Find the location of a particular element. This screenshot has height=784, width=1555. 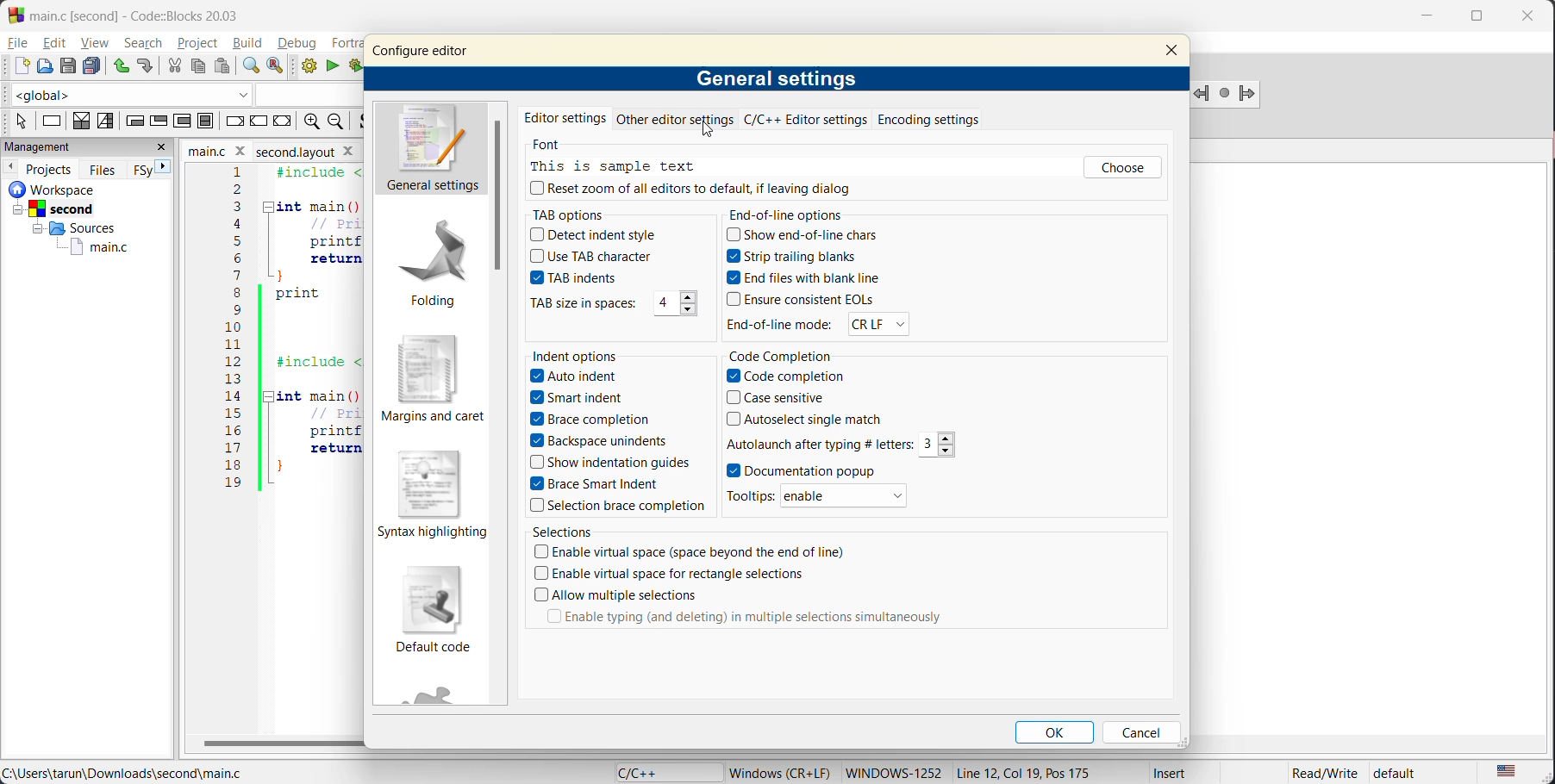

Jump back is located at coordinates (1199, 95).